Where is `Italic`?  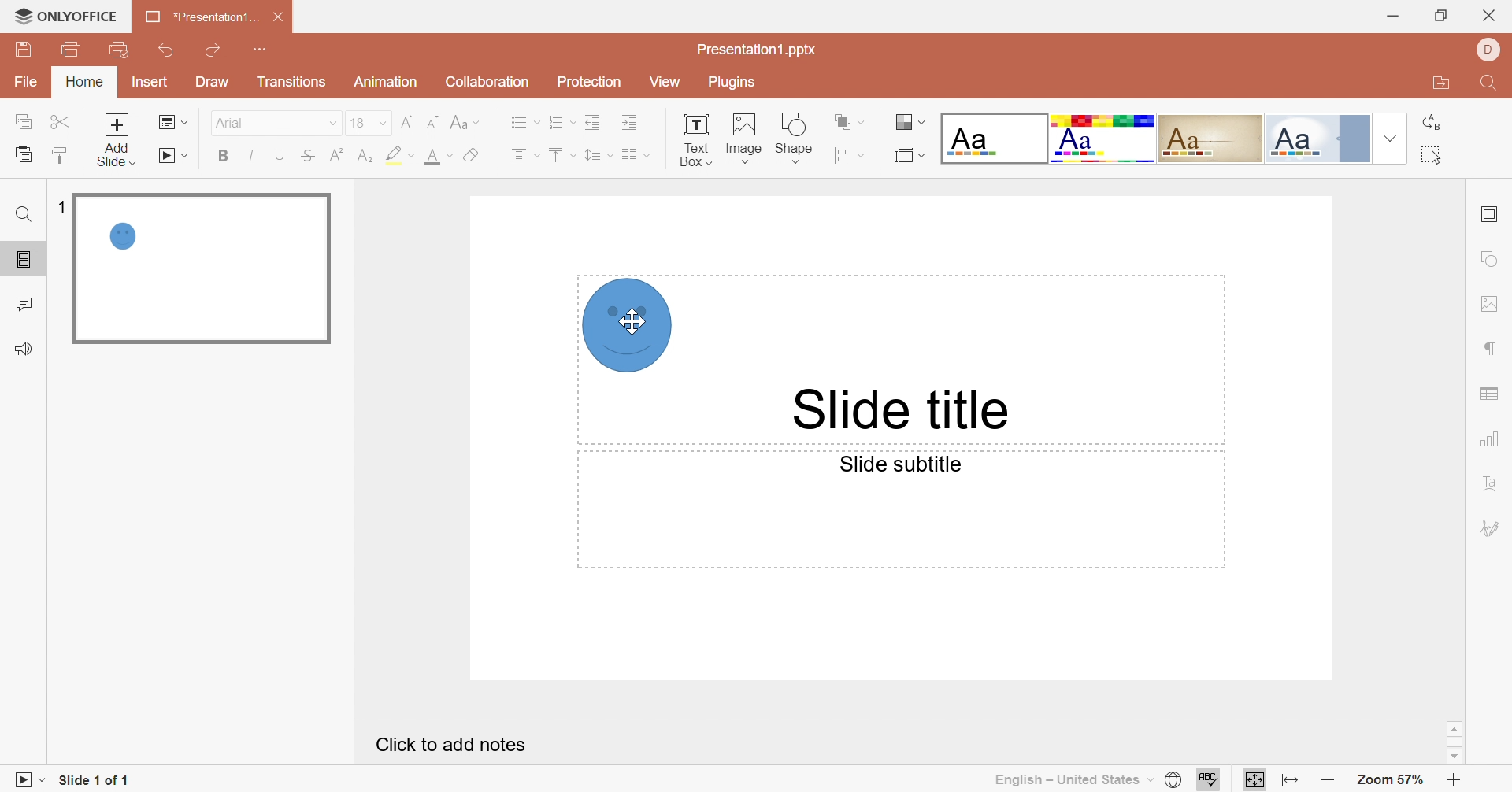
Italic is located at coordinates (252, 154).